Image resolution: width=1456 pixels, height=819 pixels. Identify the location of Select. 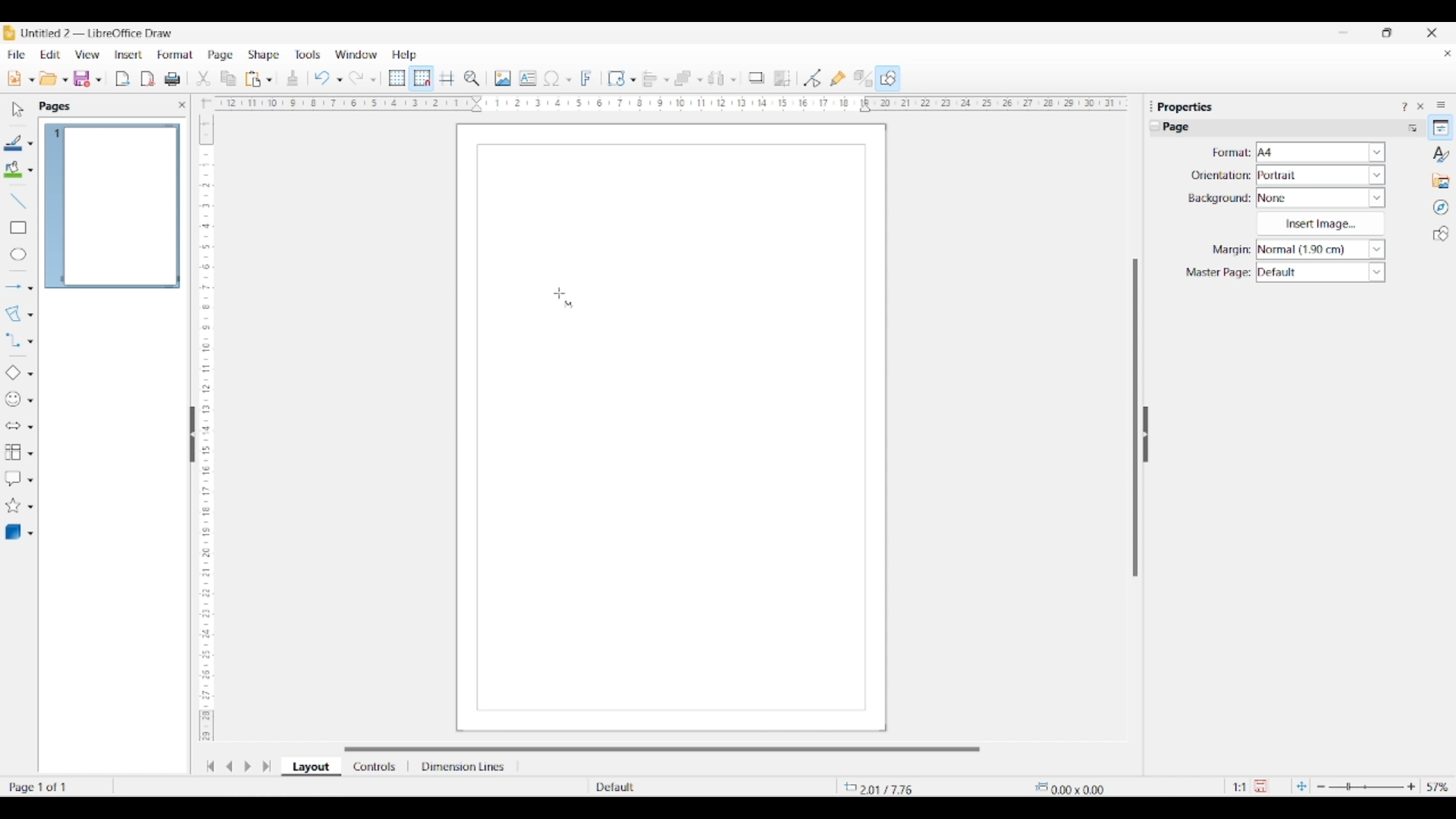
(18, 109).